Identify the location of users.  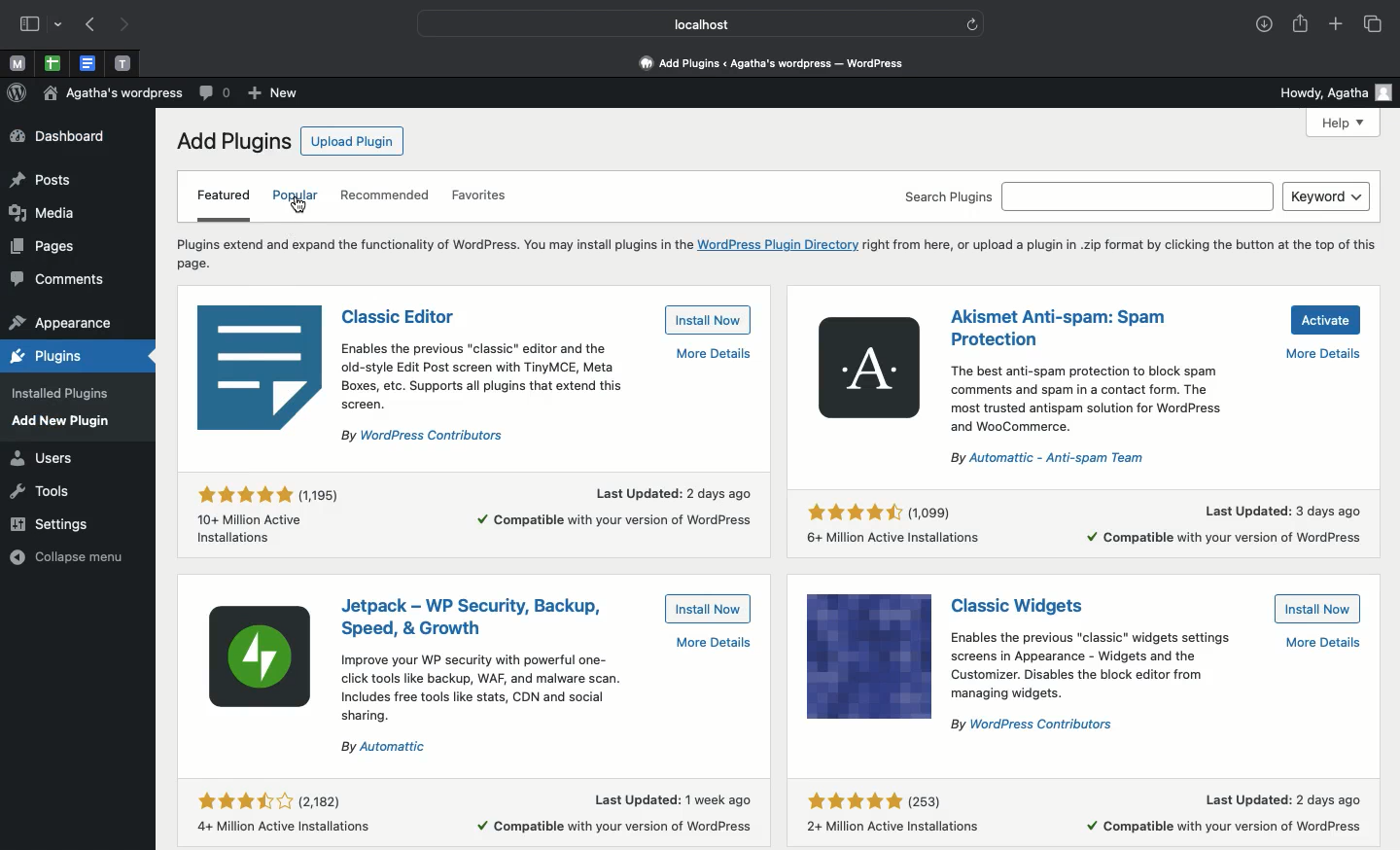
(44, 459).